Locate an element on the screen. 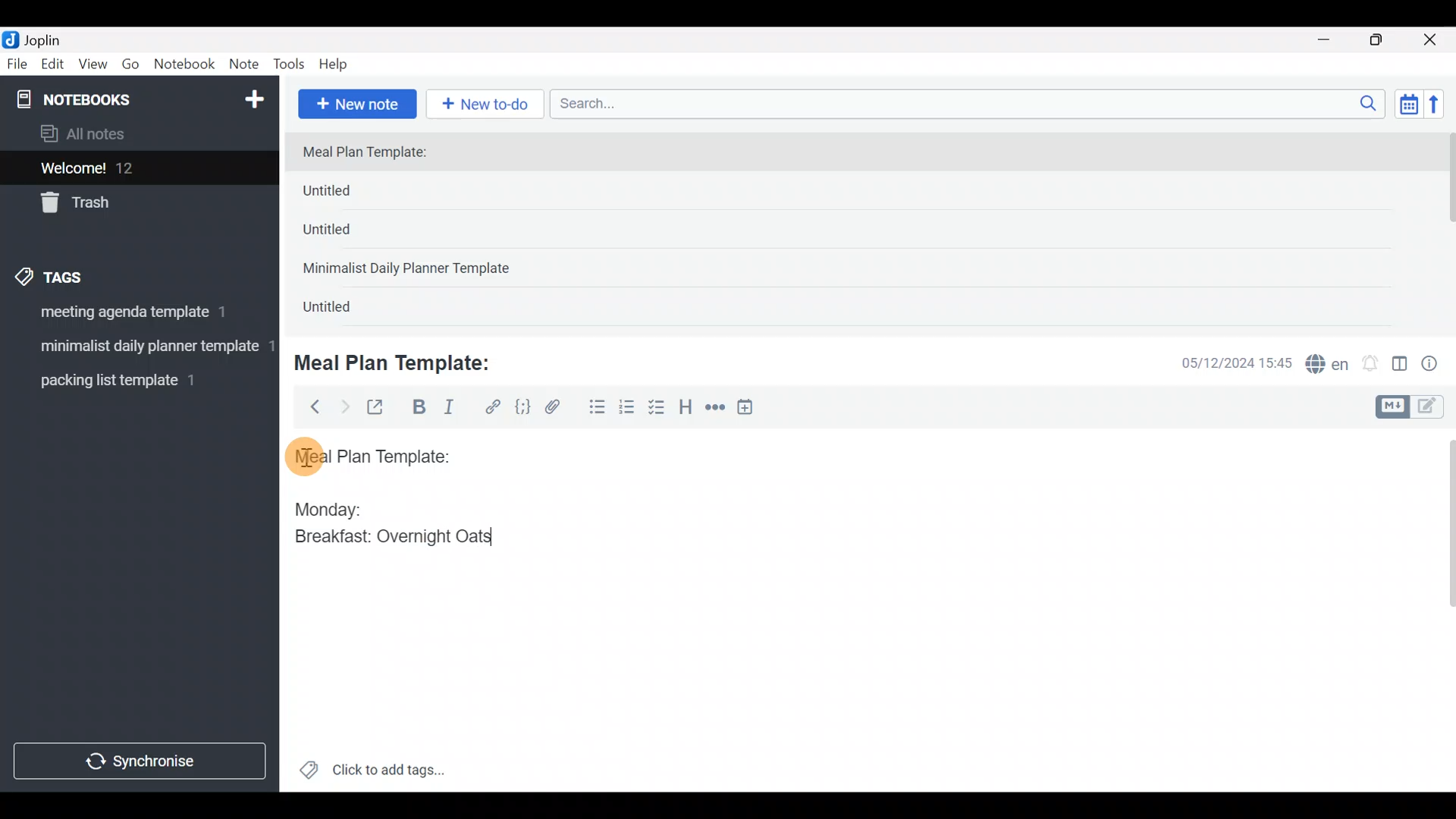  Untitled is located at coordinates (344, 310).